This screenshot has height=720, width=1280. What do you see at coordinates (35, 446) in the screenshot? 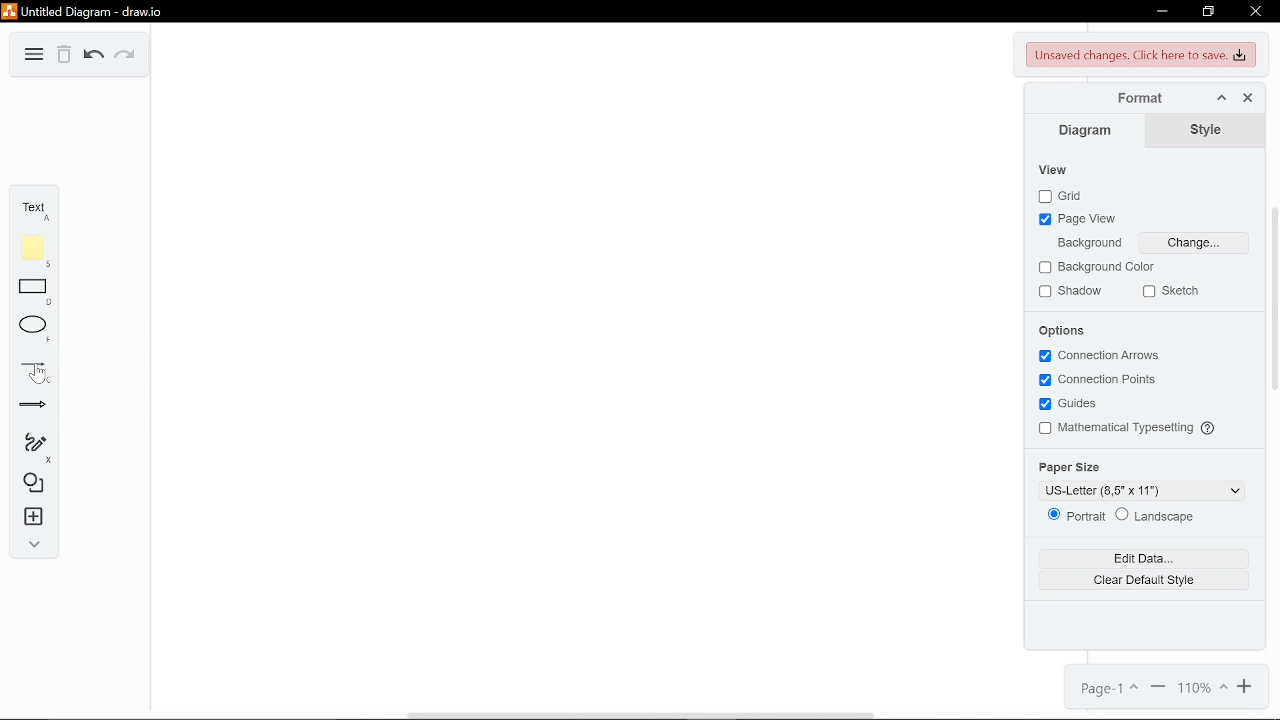
I see `Freehand` at bounding box center [35, 446].